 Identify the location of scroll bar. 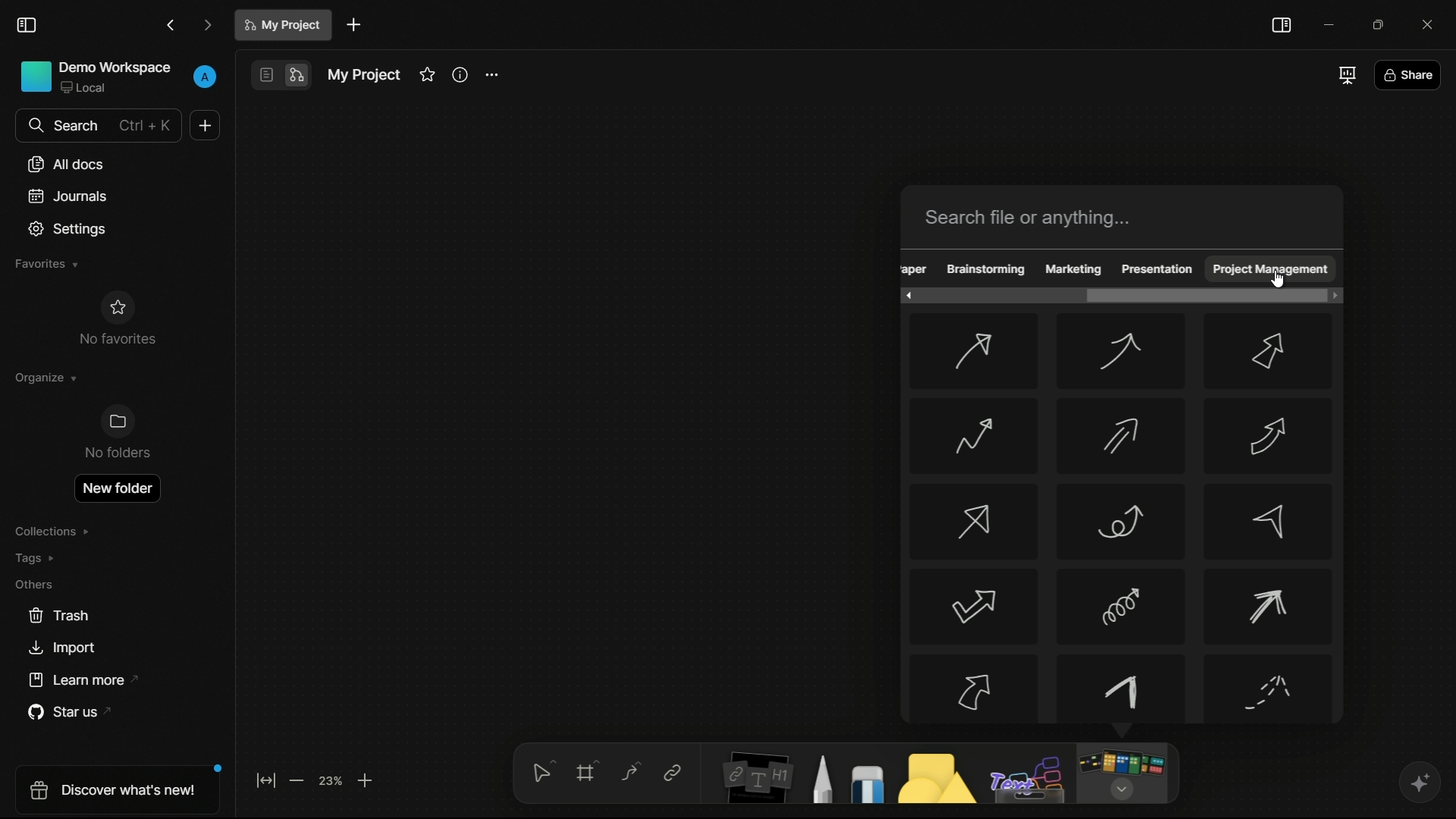
(1202, 295).